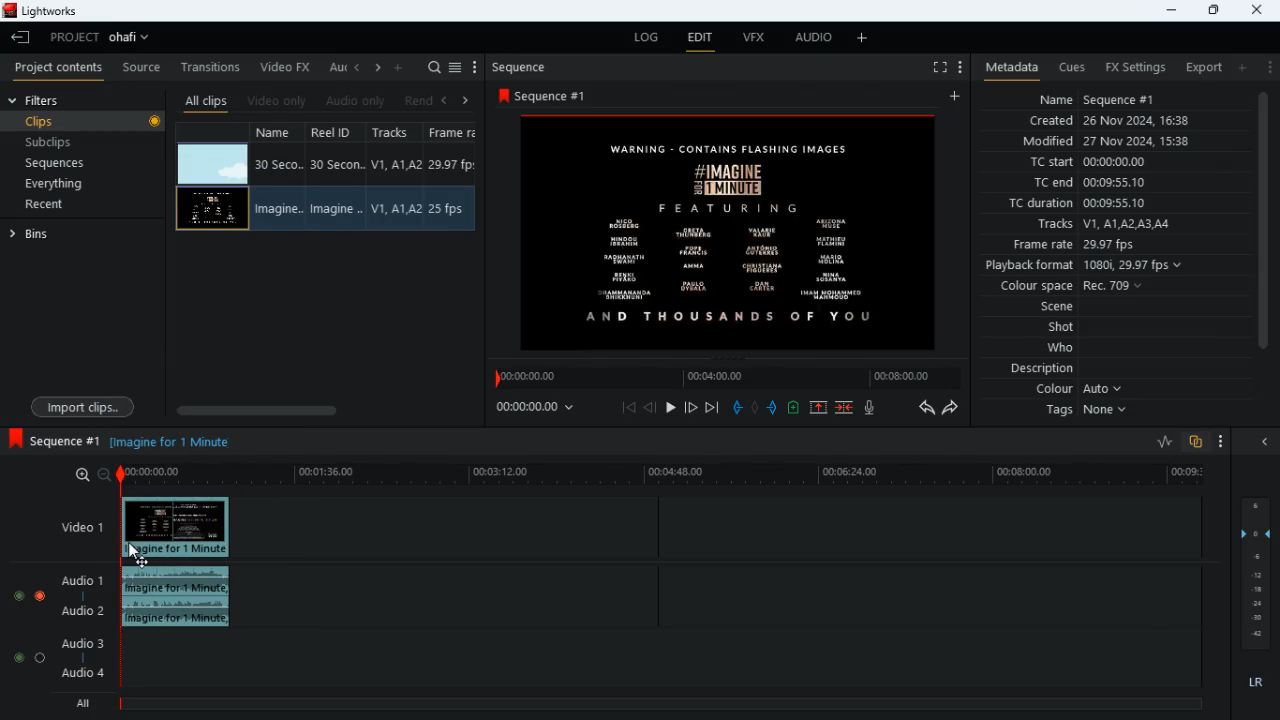  I want to click on audio 3, so click(83, 644).